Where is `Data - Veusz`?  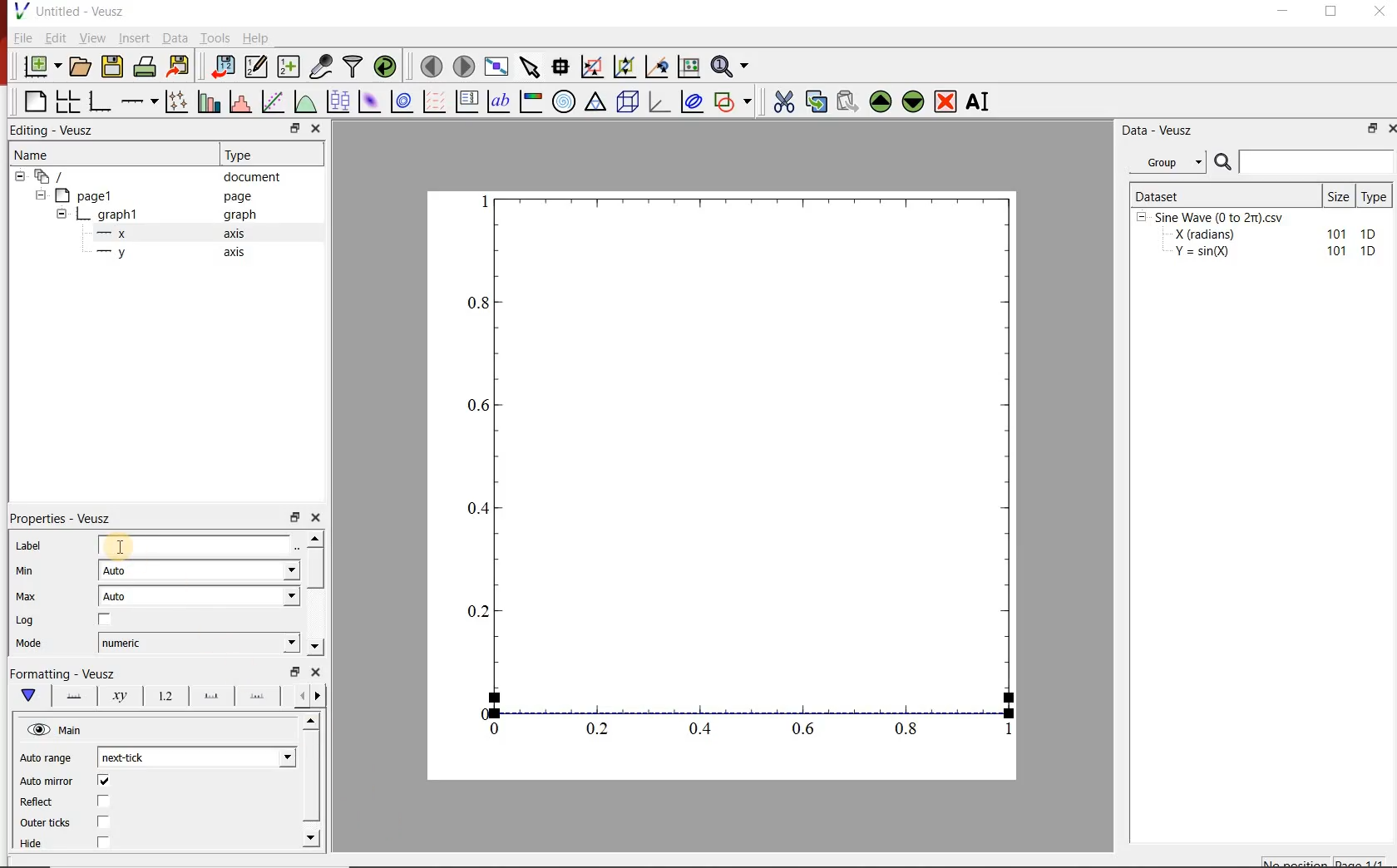
Data - Veusz is located at coordinates (1160, 131).